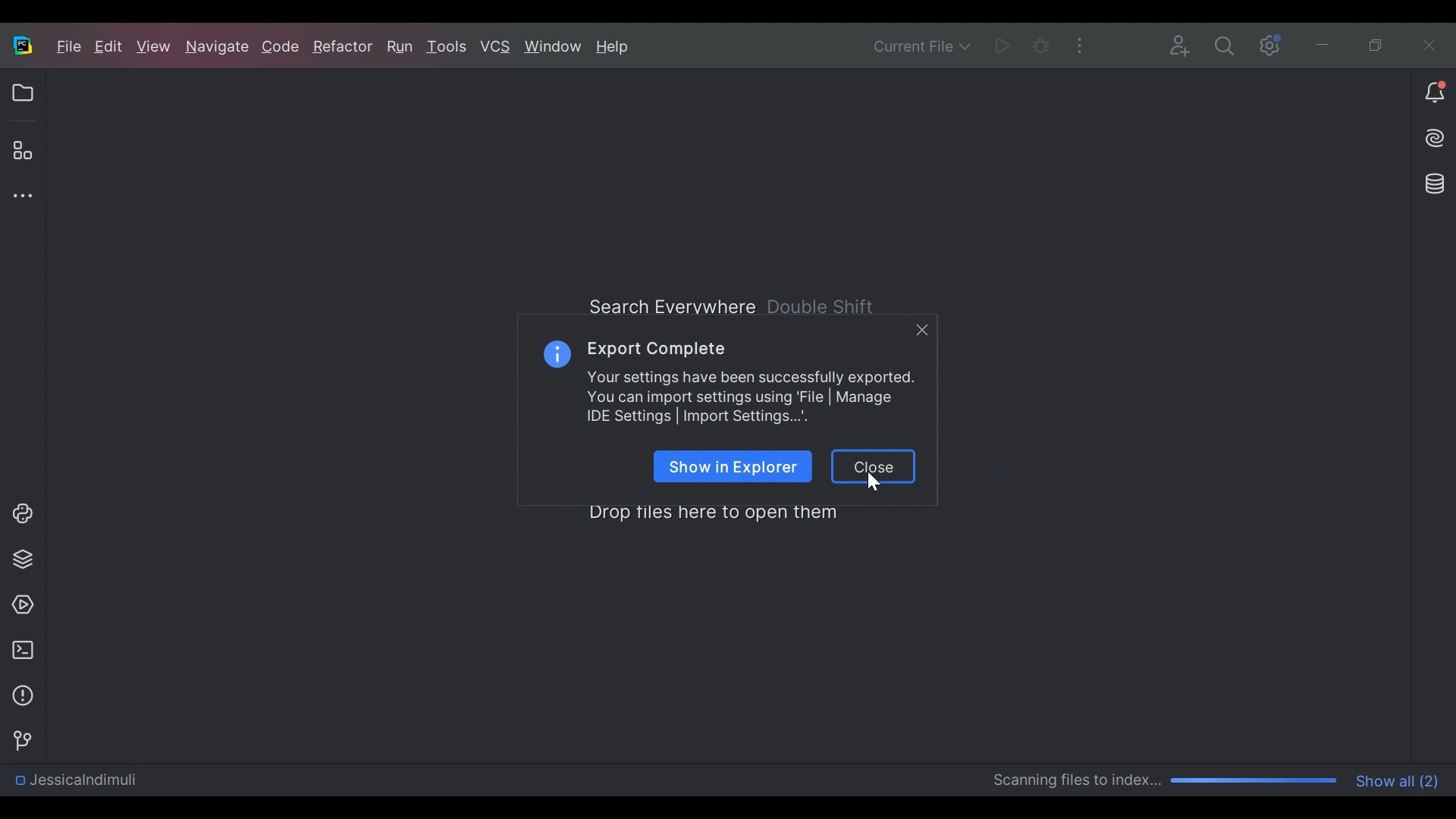 This screenshot has width=1456, height=819. Describe the element at coordinates (655, 347) in the screenshot. I see `Export Complete` at that location.